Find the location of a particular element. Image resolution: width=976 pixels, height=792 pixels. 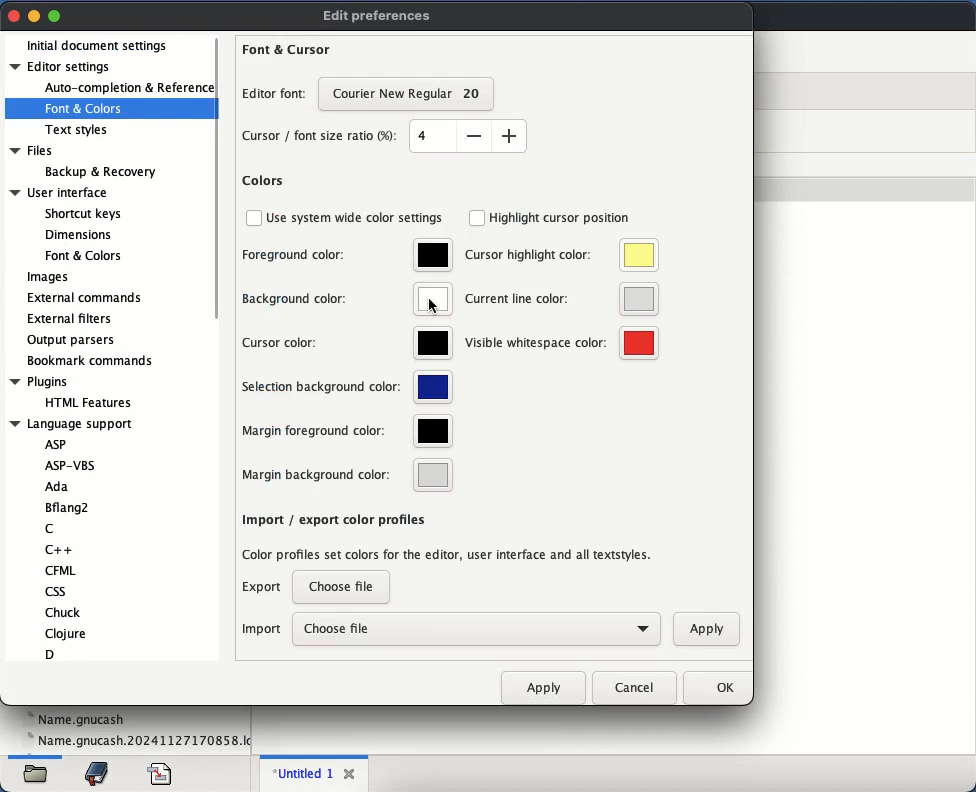

external commands is located at coordinates (83, 297).